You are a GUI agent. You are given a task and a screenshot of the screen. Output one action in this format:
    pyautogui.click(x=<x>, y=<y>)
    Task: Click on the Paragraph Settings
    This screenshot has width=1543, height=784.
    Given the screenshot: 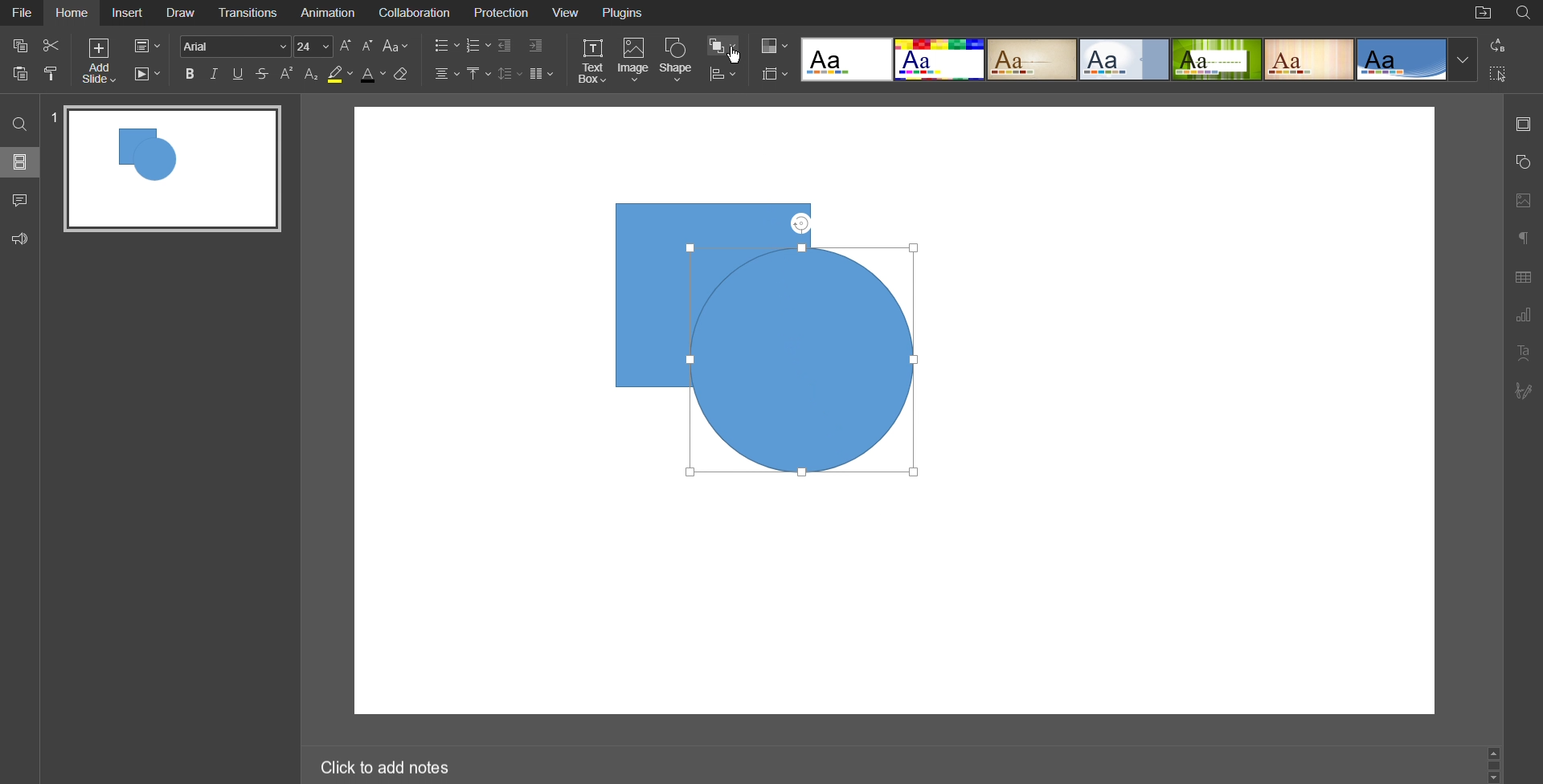 What is the action you would take?
    pyautogui.click(x=1523, y=239)
    